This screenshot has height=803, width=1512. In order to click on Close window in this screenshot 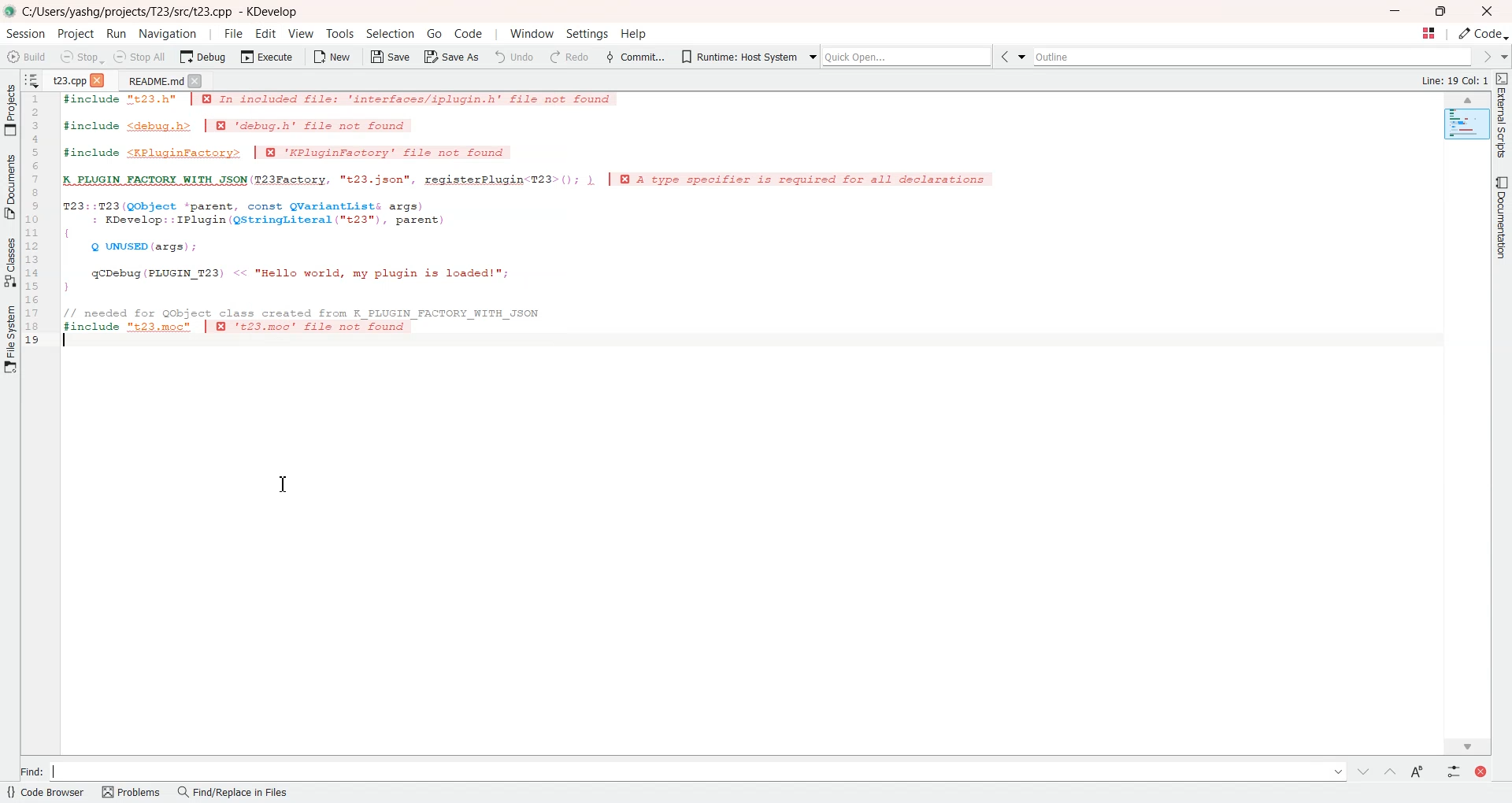, I will do `click(1478, 770)`.